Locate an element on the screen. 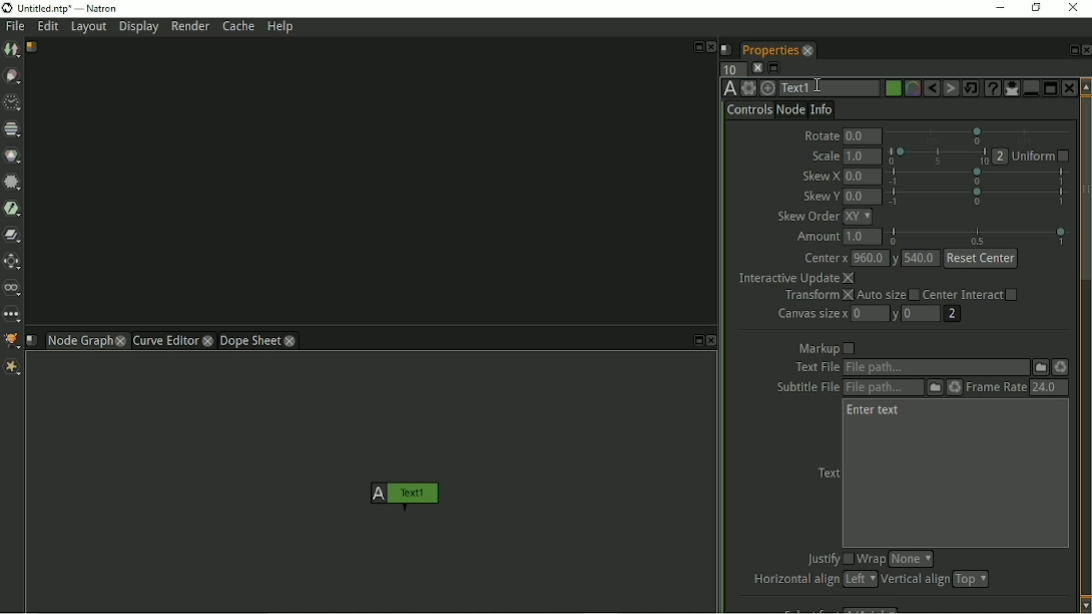  Color is located at coordinates (13, 155).